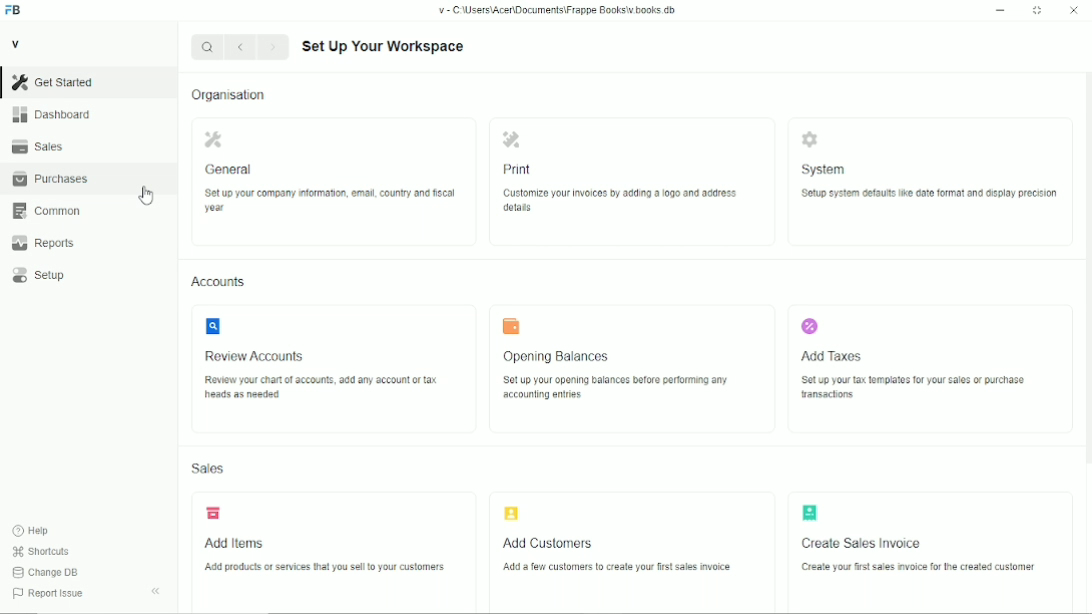 Image resolution: width=1092 pixels, height=614 pixels. What do you see at coordinates (551, 542) in the screenshot?
I see `‘Add Customers` at bounding box center [551, 542].